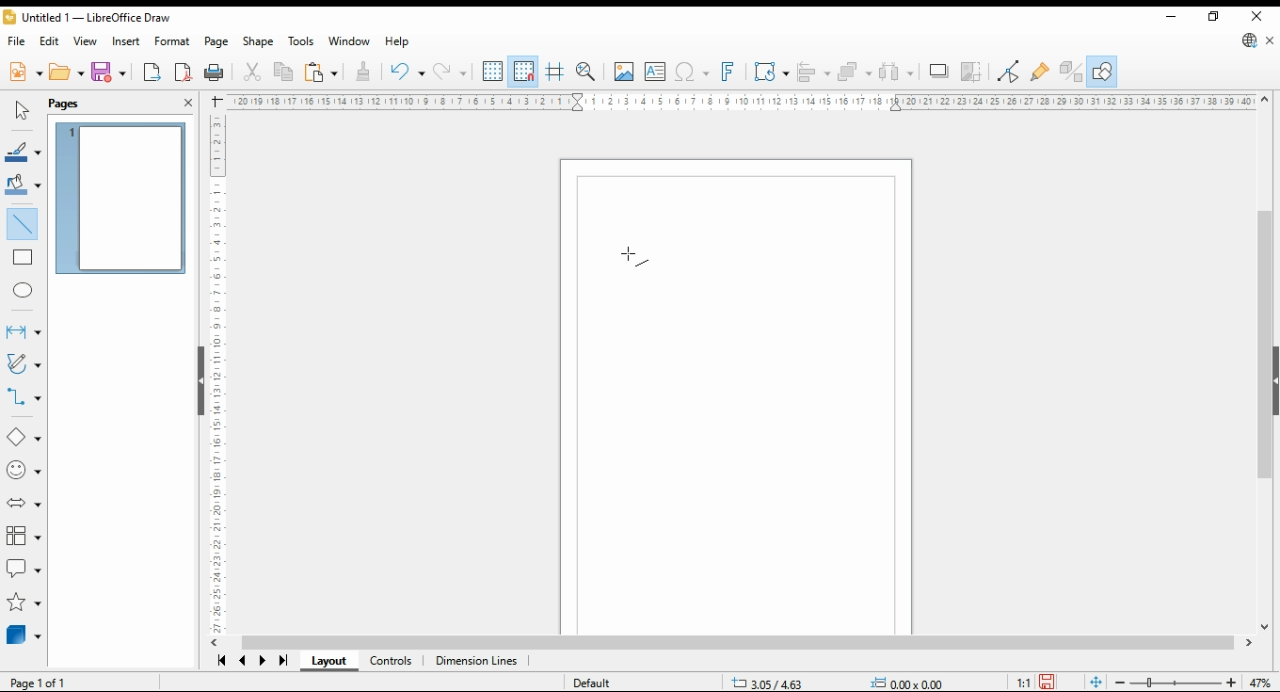 Image resolution: width=1280 pixels, height=692 pixels. What do you see at coordinates (602, 682) in the screenshot?
I see `default` at bounding box center [602, 682].